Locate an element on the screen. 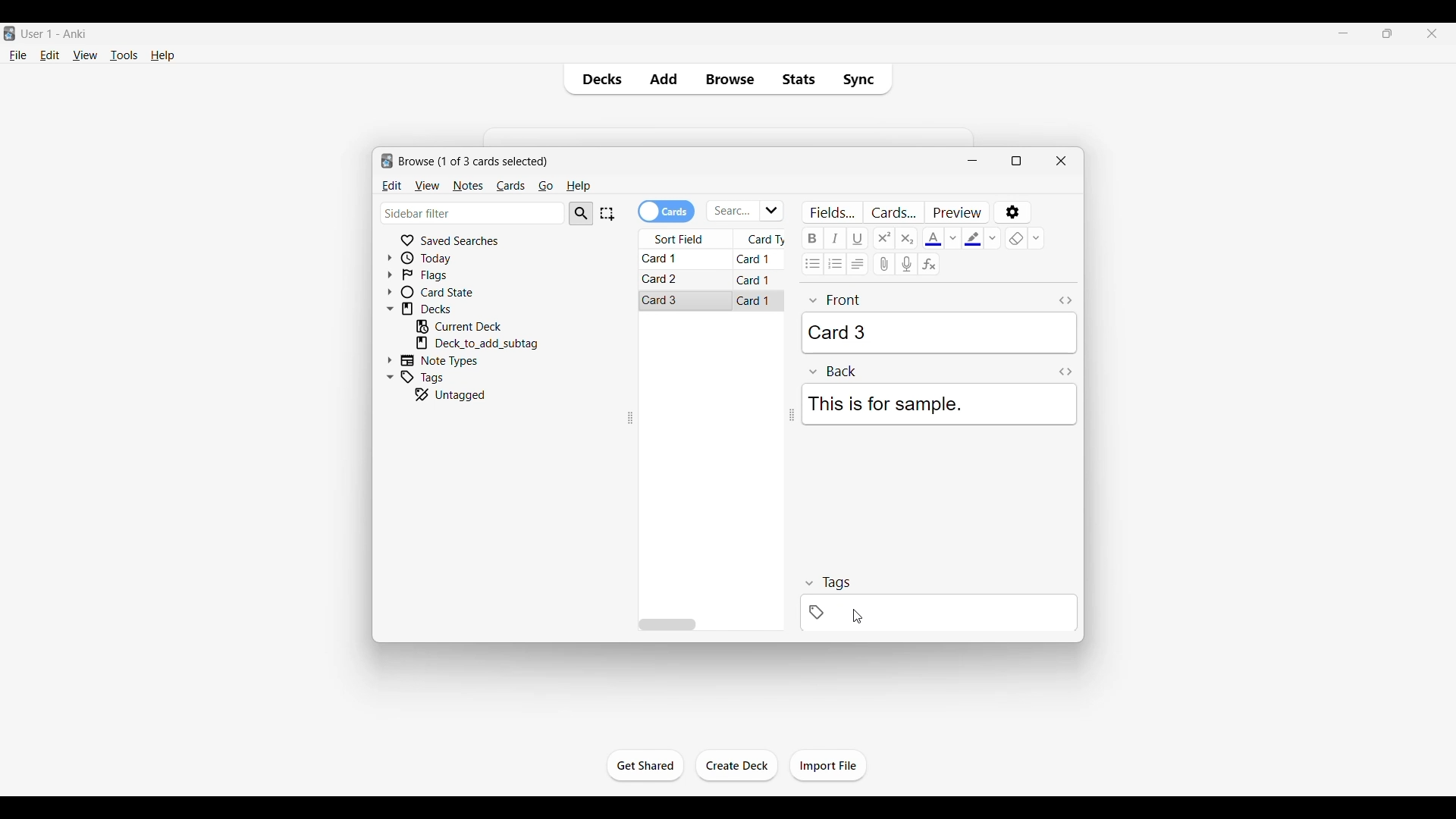  Minimize is located at coordinates (1343, 33).